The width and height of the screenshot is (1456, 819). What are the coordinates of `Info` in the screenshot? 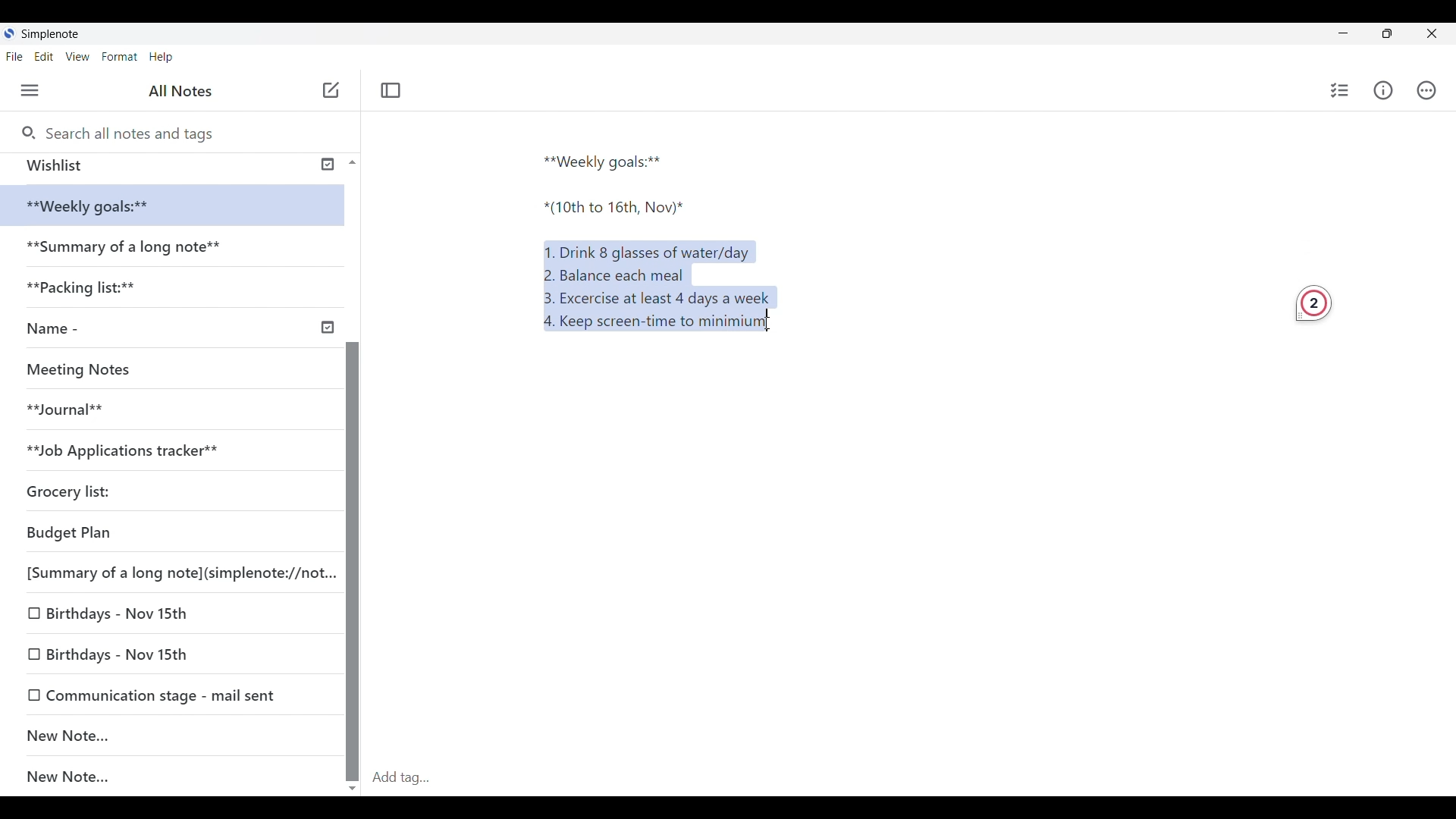 It's located at (1385, 91).